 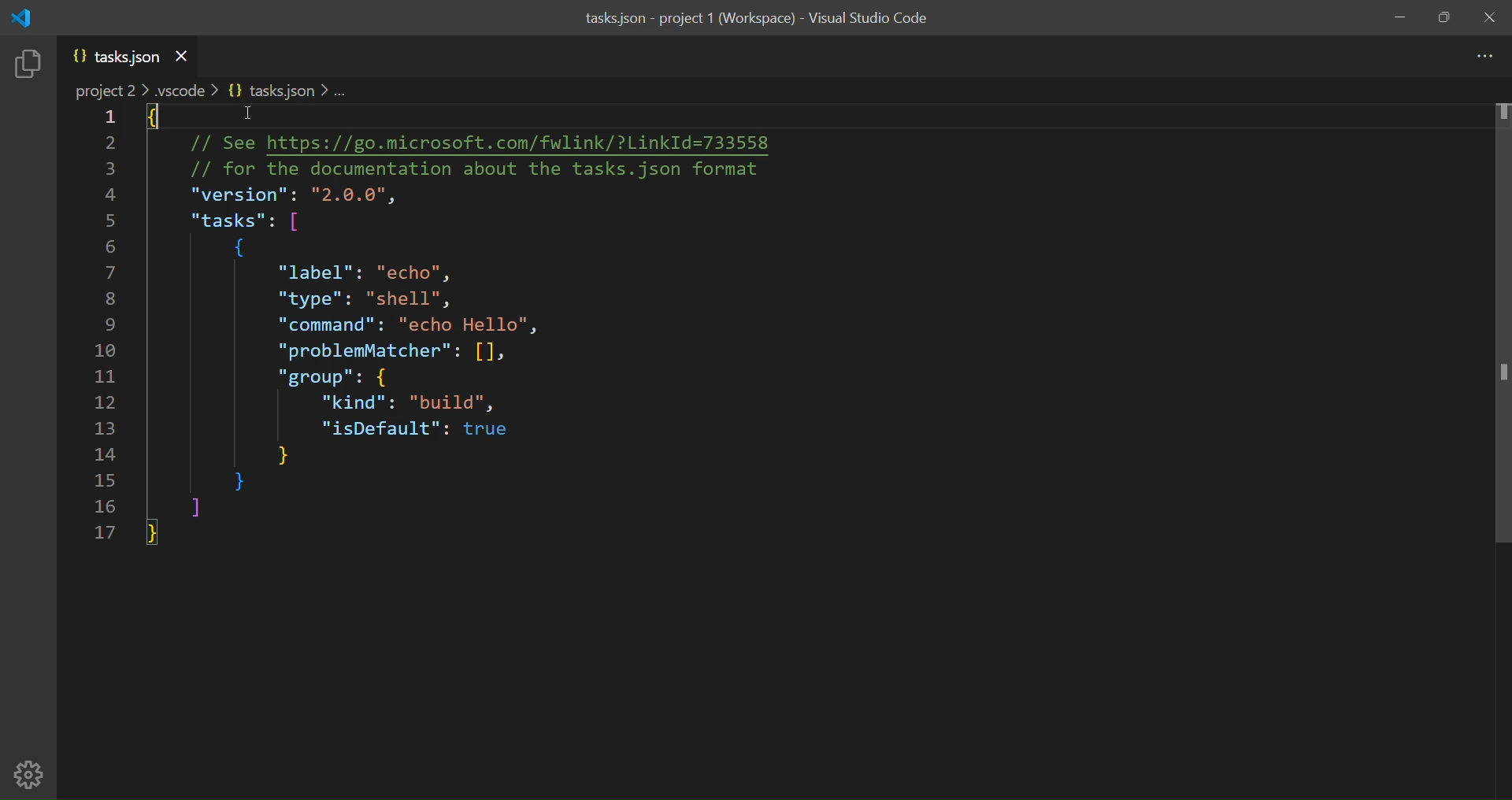 What do you see at coordinates (98, 327) in the screenshot?
I see `line number of code` at bounding box center [98, 327].